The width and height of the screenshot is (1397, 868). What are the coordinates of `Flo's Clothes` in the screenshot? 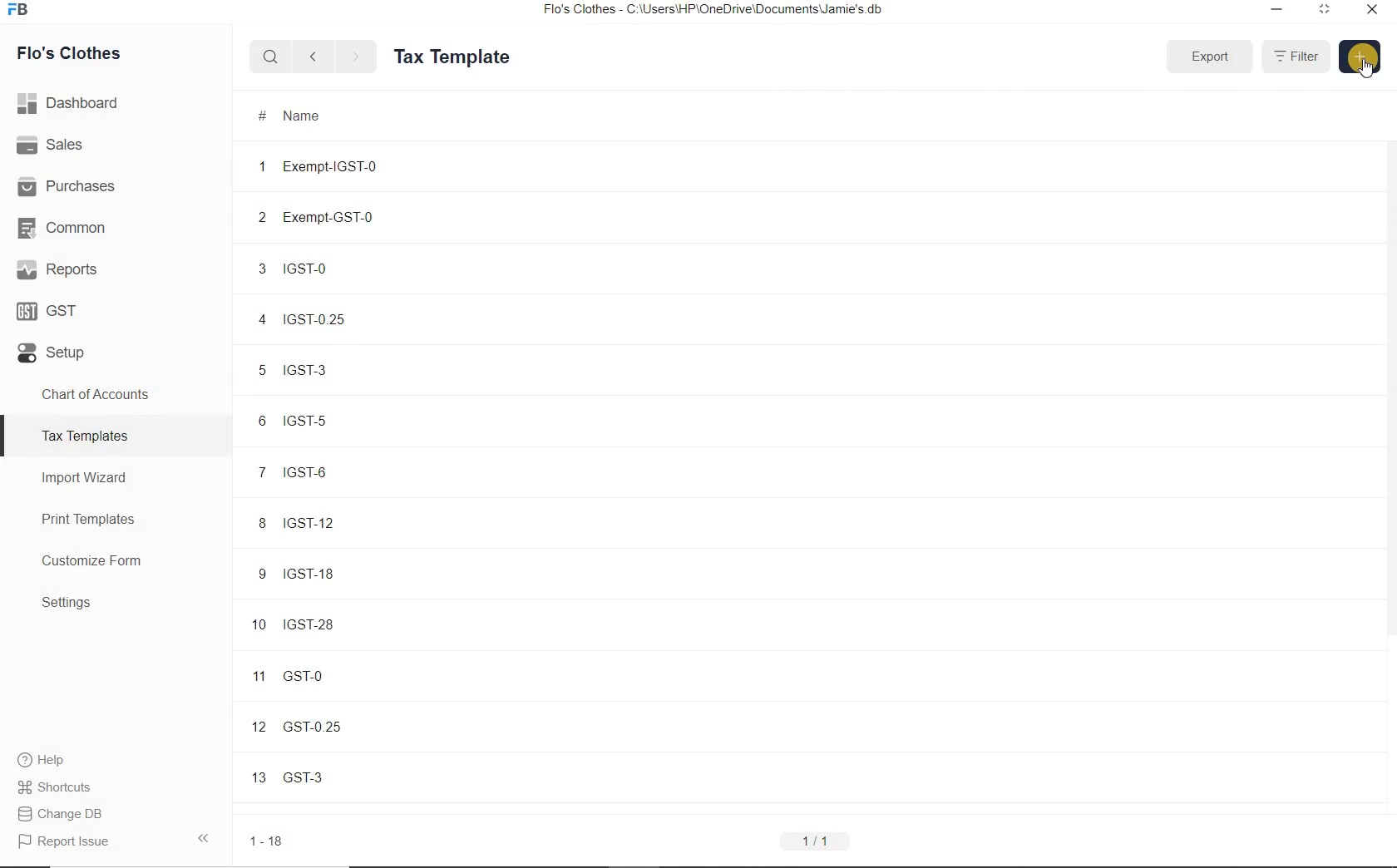 It's located at (66, 53).